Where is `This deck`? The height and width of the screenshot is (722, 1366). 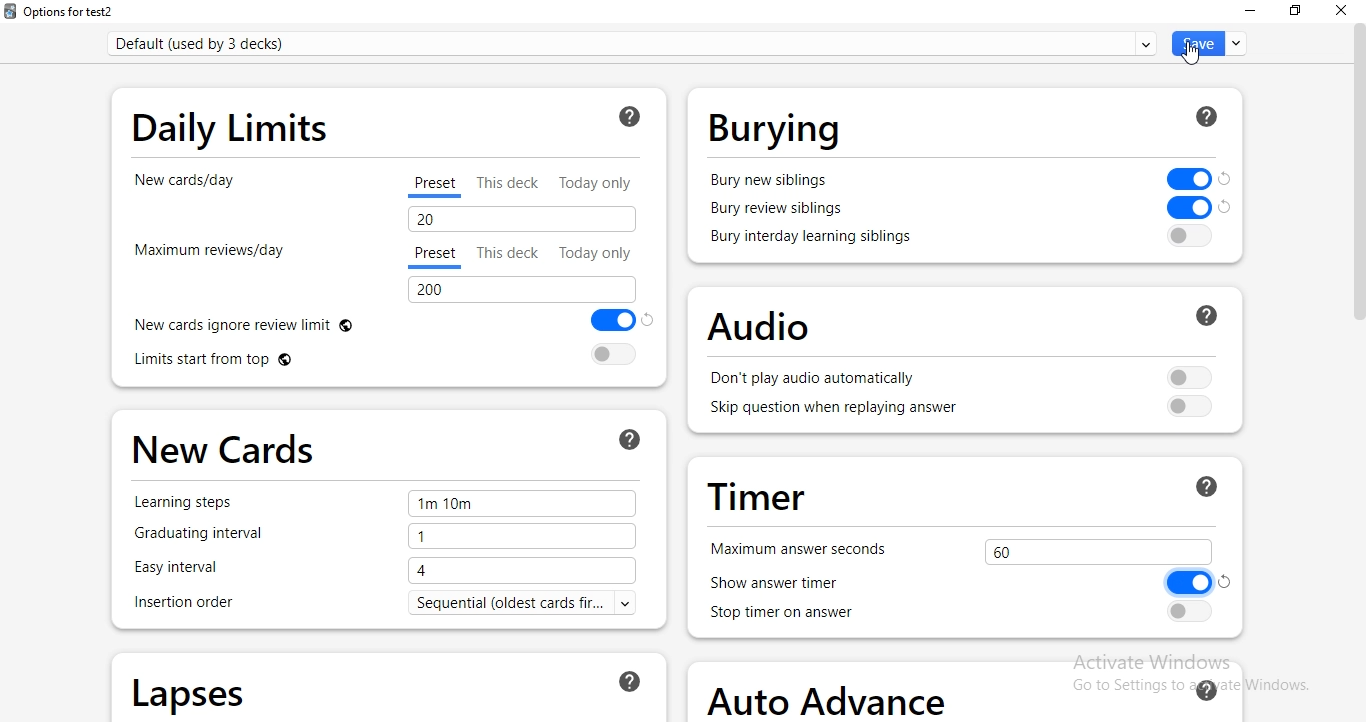 This deck is located at coordinates (508, 252).